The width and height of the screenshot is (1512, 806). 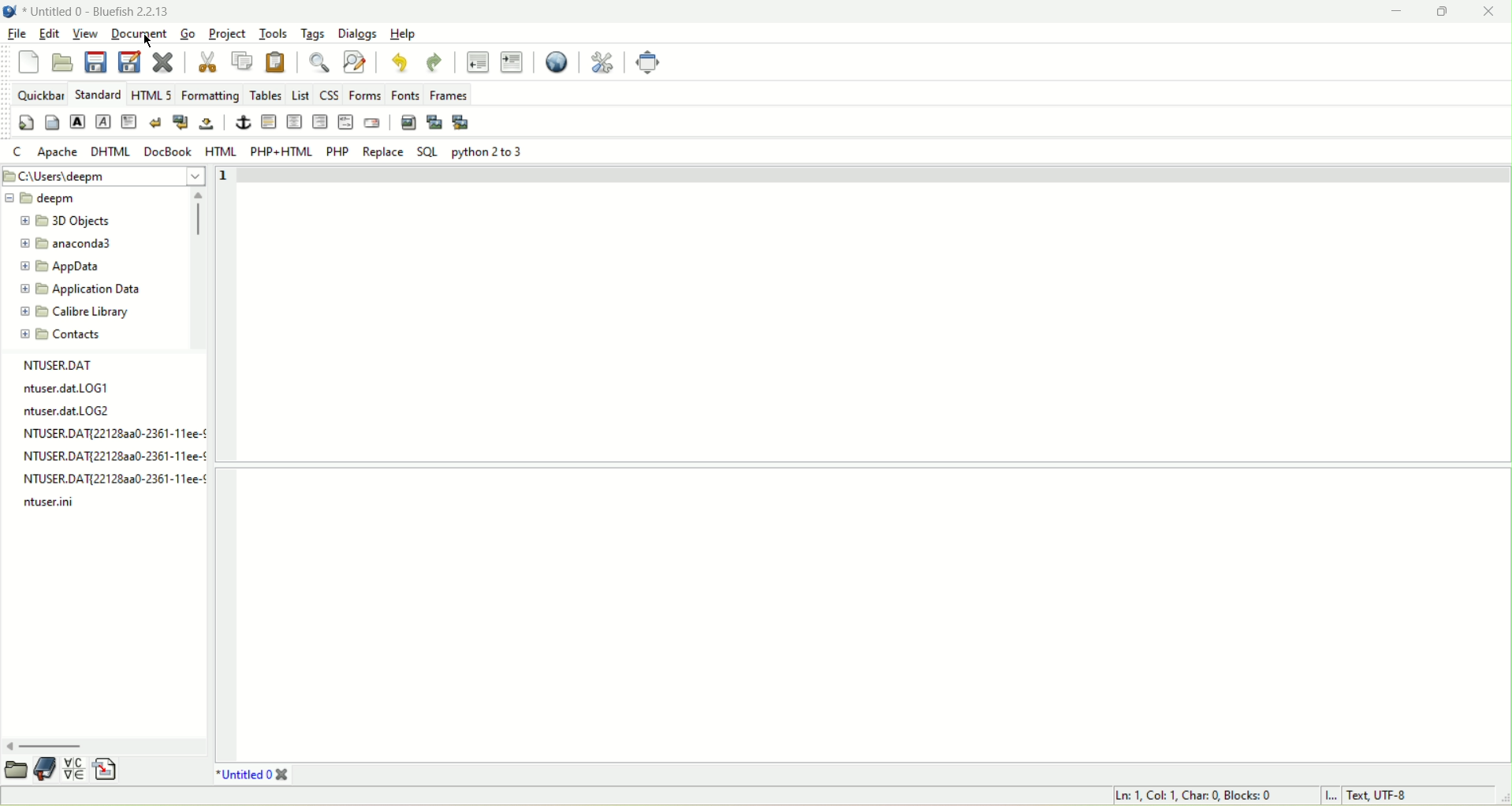 What do you see at coordinates (477, 62) in the screenshot?
I see `unindent` at bounding box center [477, 62].